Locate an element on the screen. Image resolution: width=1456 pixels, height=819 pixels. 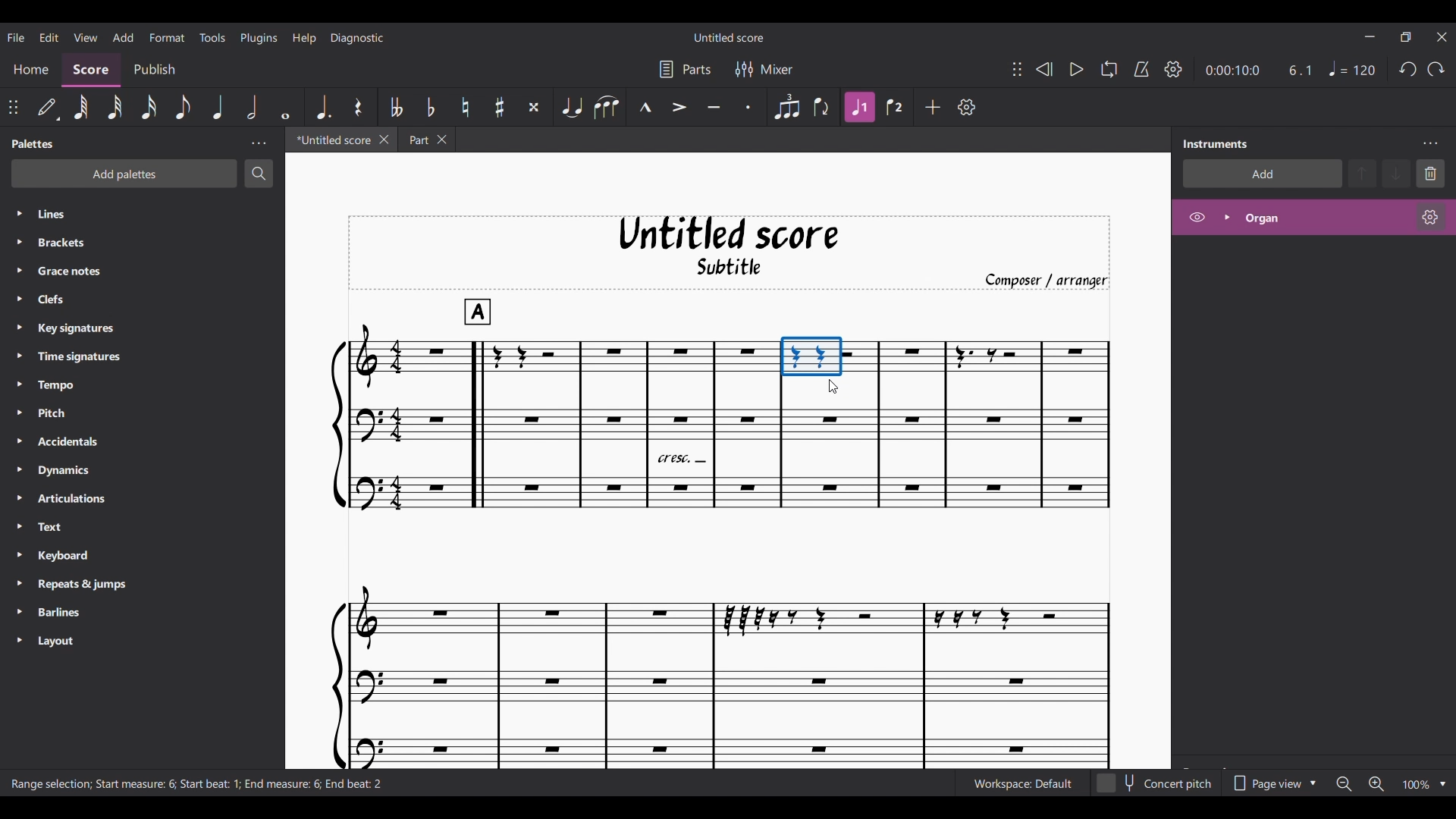
Close interface is located at coordinates (1442, 36).